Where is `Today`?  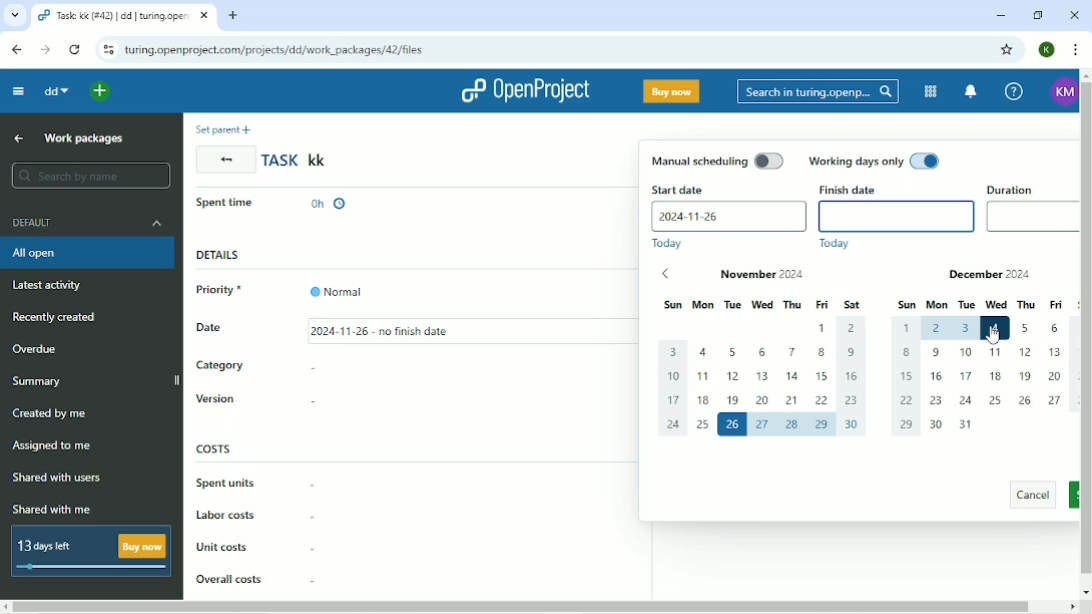 Today is located at coordinates (834, 244).